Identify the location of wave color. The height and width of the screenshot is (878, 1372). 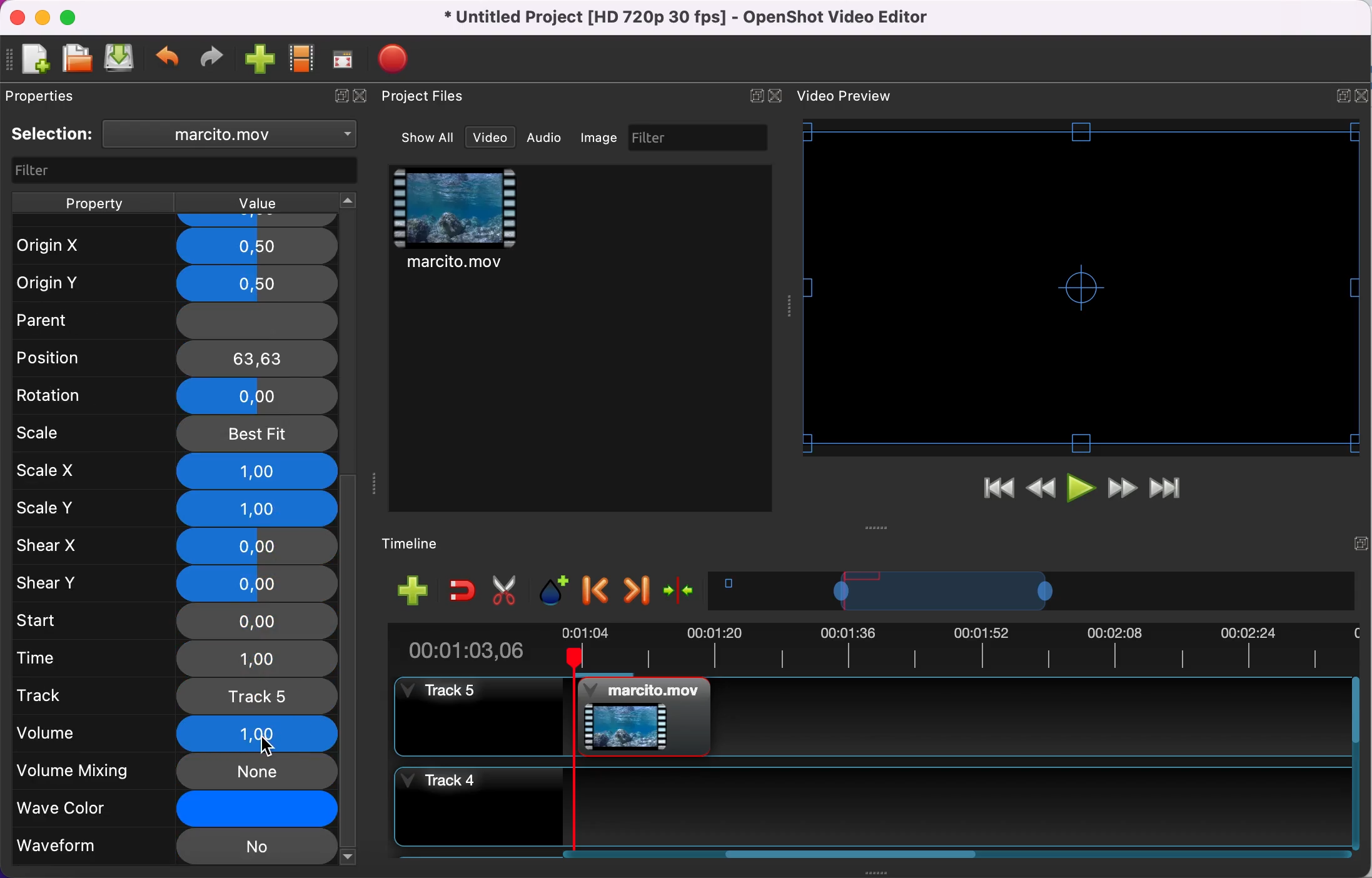
(176, 810).